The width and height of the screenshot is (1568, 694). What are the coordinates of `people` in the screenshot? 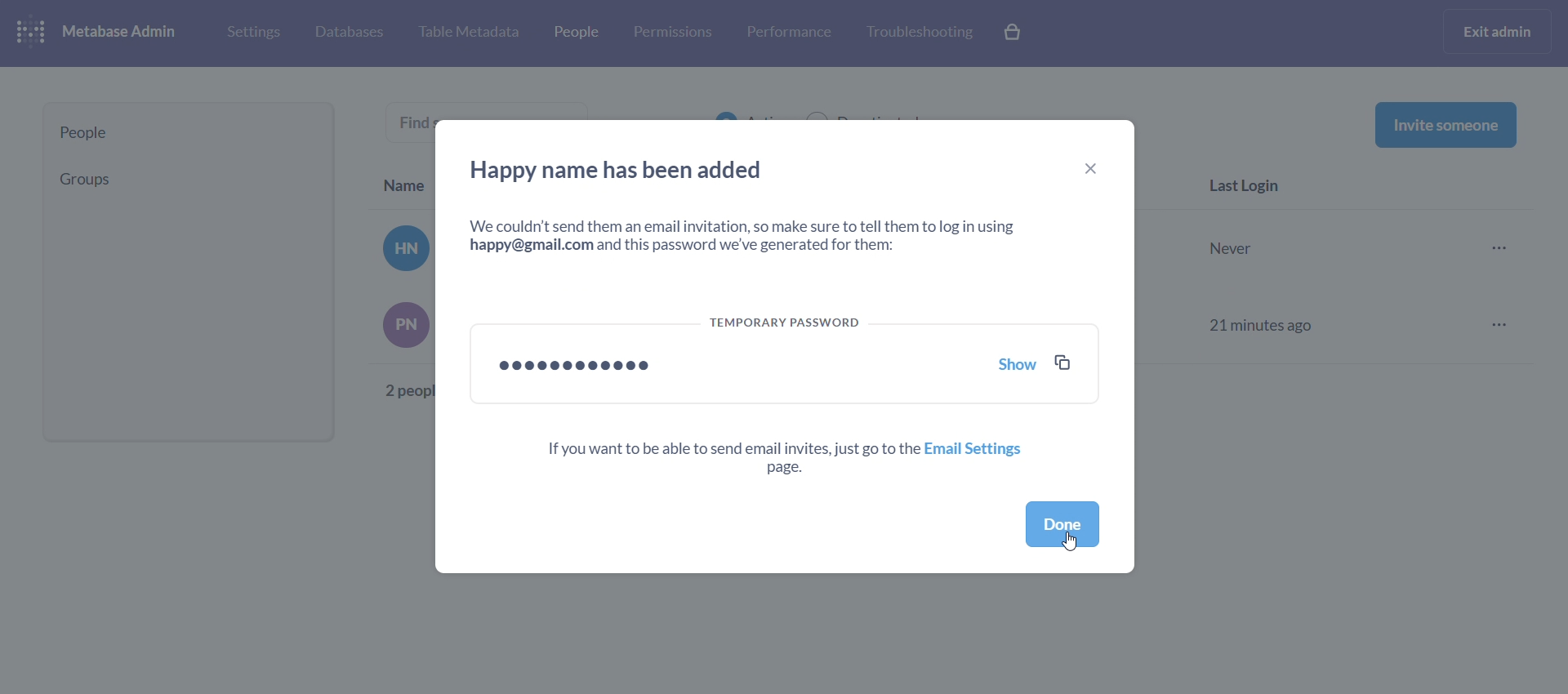 It's located at (574, 35).